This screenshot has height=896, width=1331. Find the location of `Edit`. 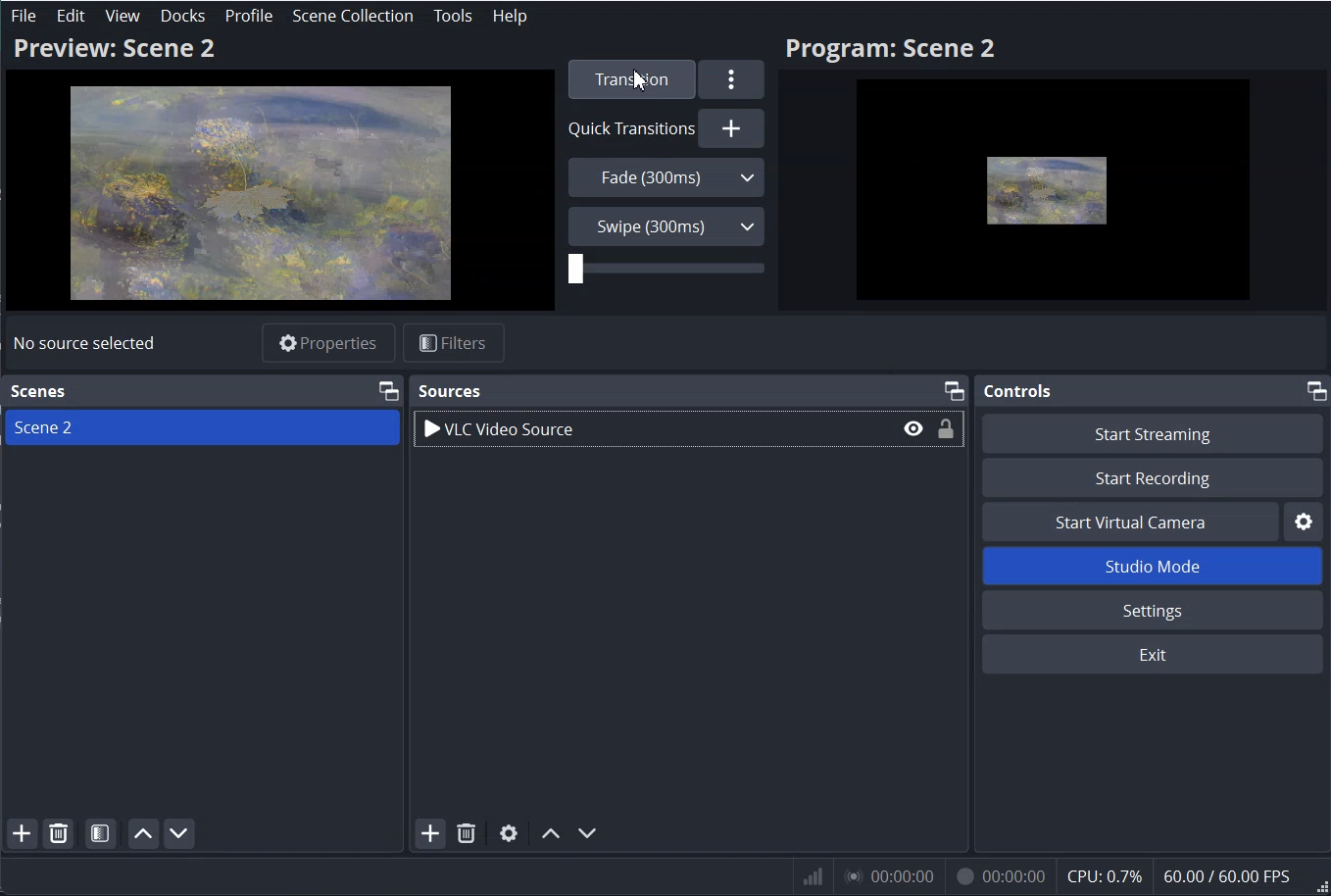

Edit is located at coordinates (72, 16).